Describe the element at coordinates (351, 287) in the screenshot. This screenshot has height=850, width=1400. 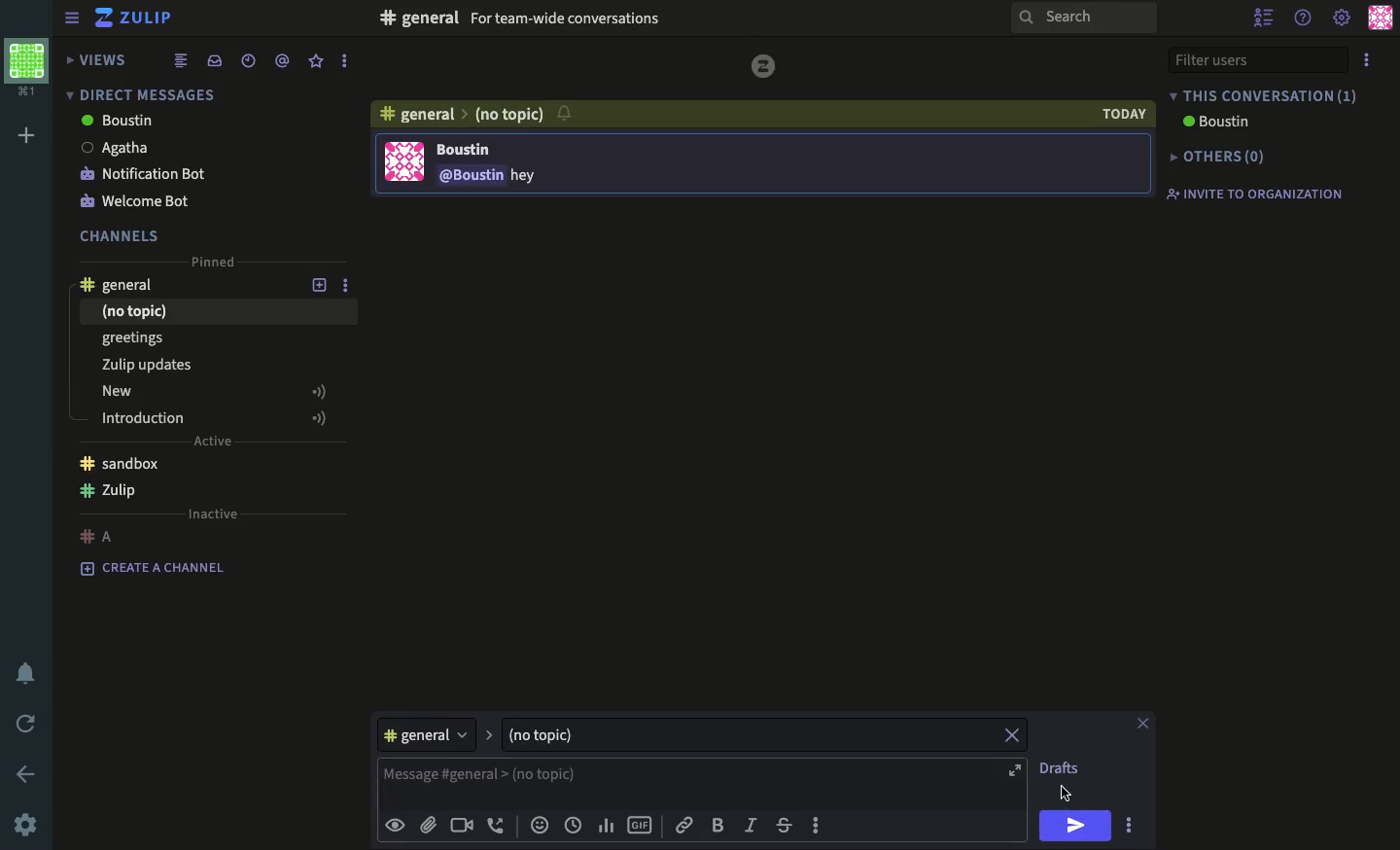
I see `options` at that location.